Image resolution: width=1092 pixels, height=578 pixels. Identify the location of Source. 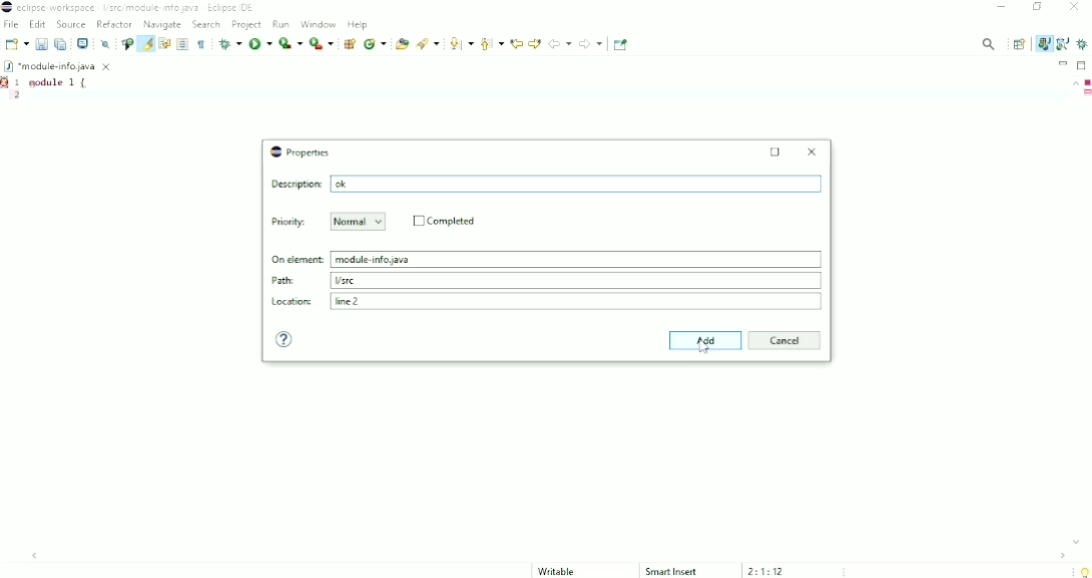
(71, 24).